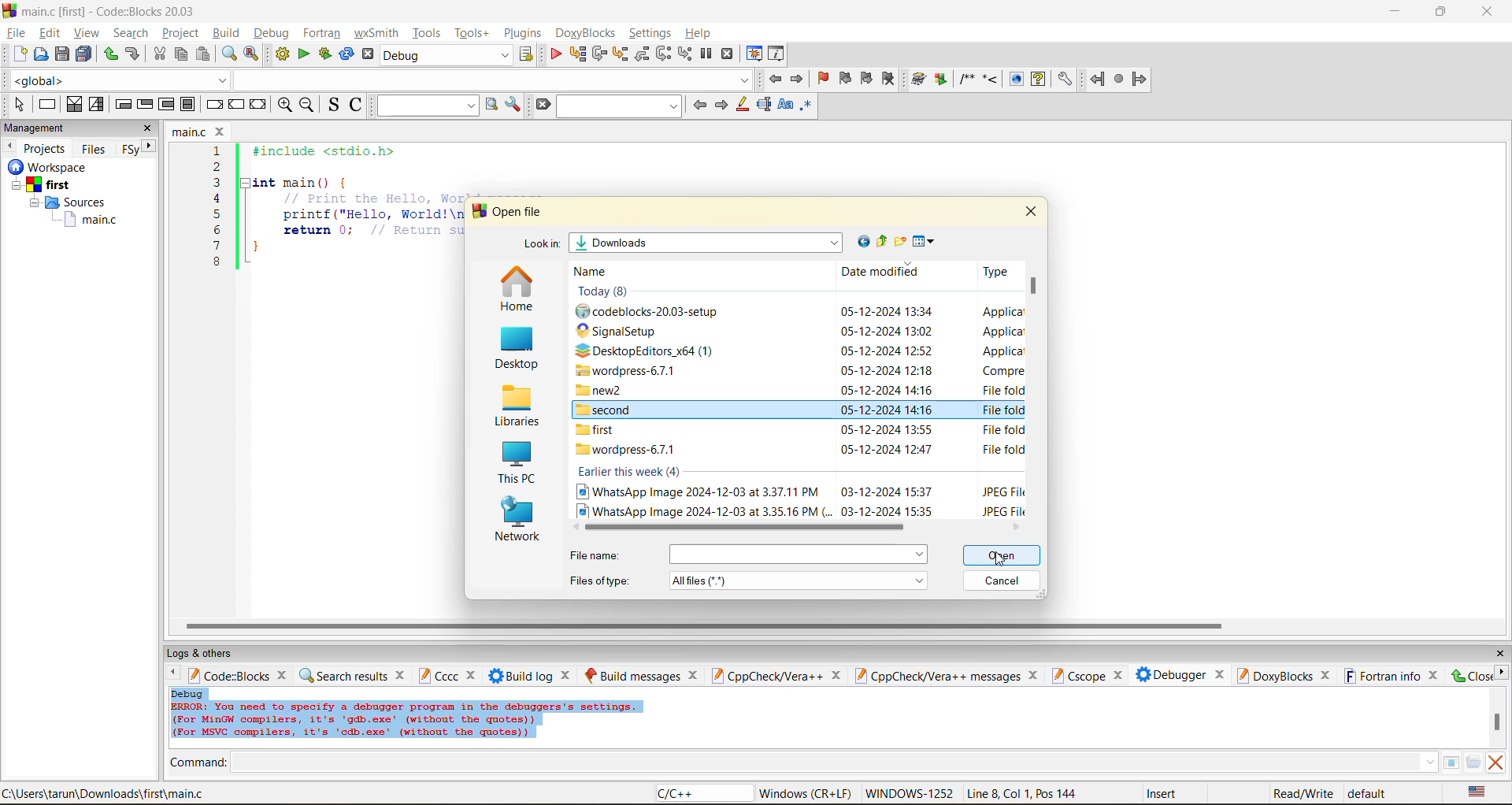 This screenshot has width=1512, height=805. Describe the element at coordinates (621, 106) in the screenshot. I see `search` at that location.